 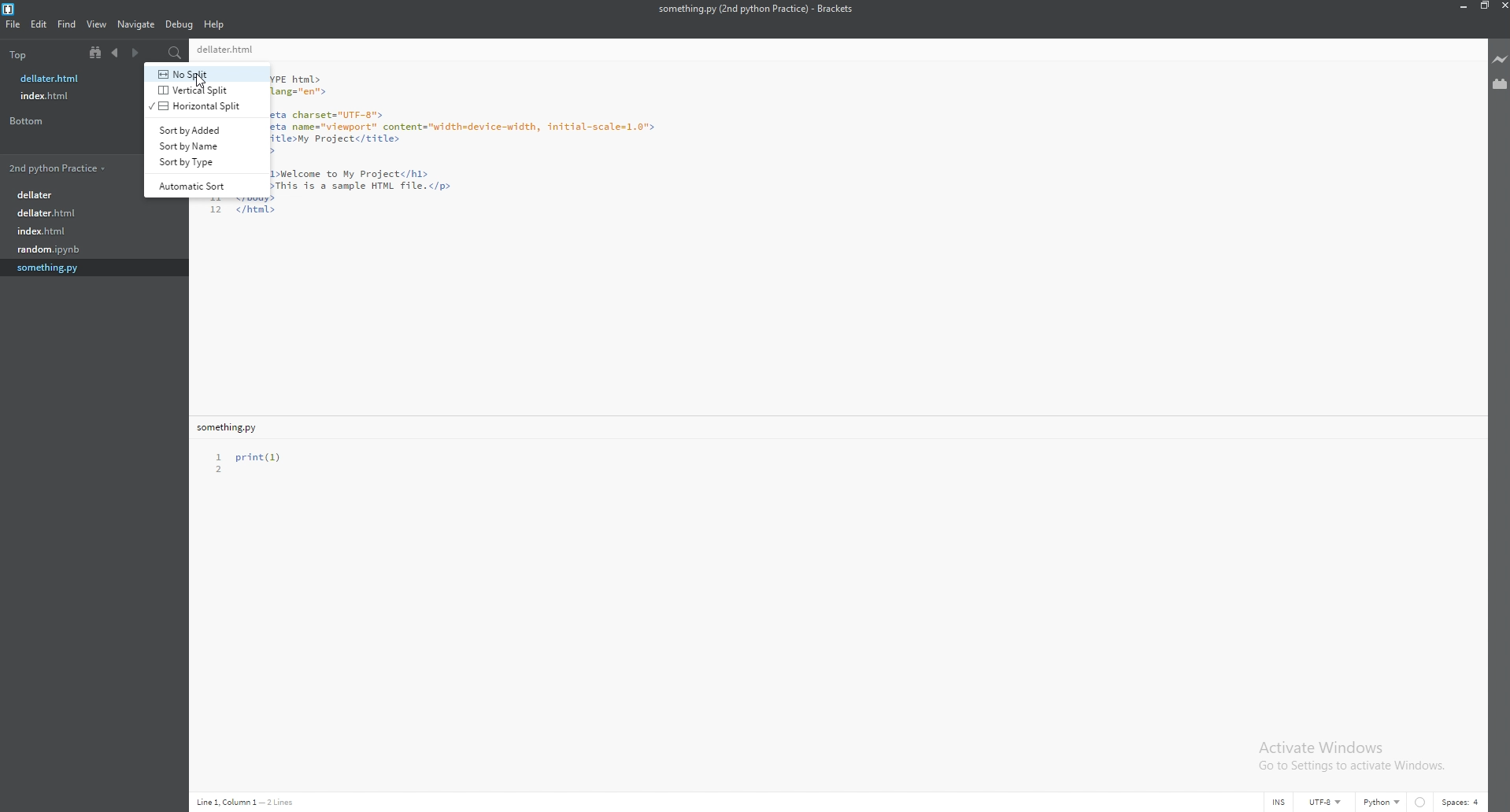 I want to click on no split, so click(x=207, y=71).